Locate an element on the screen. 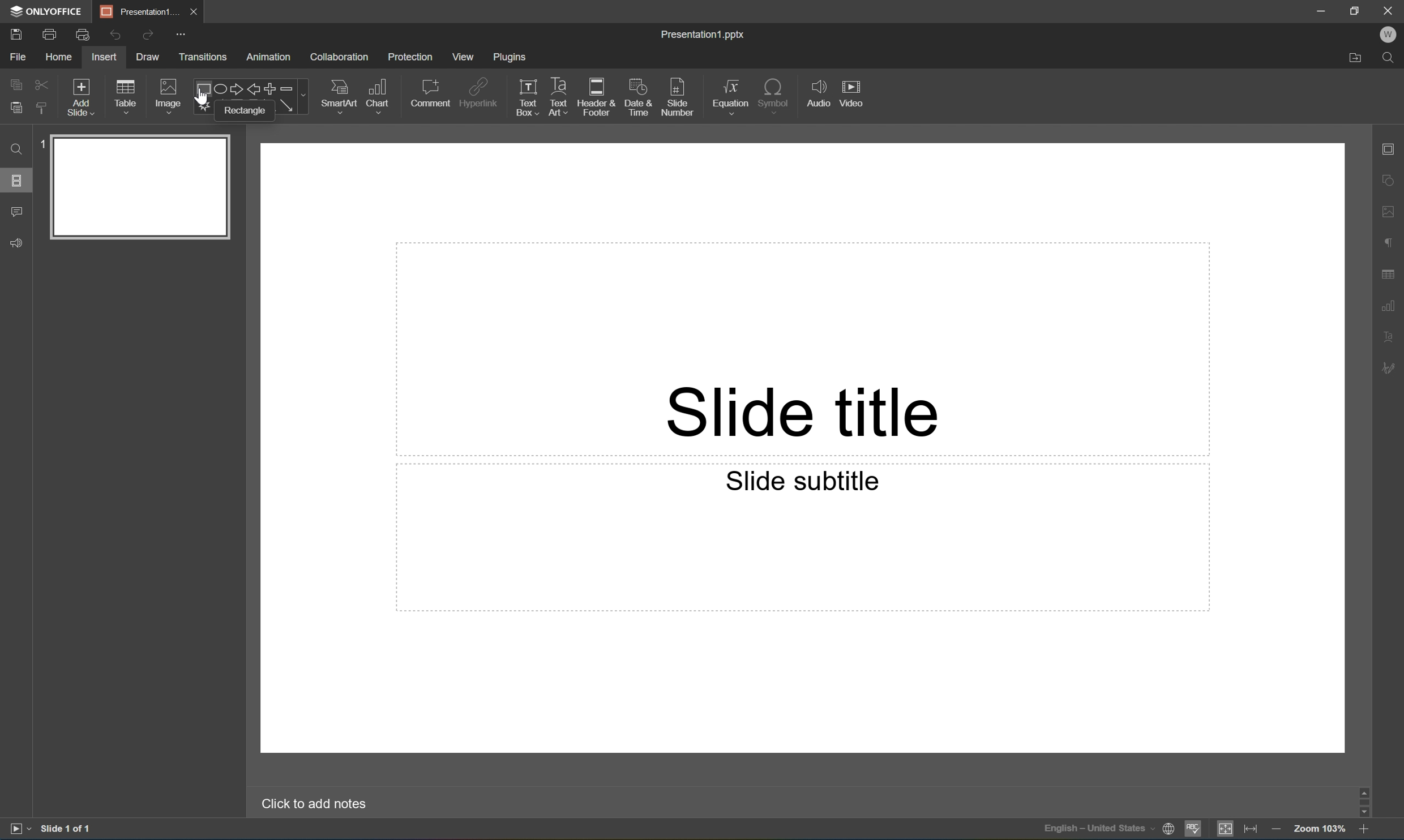  Plugins is located at coordinates (510, 57).